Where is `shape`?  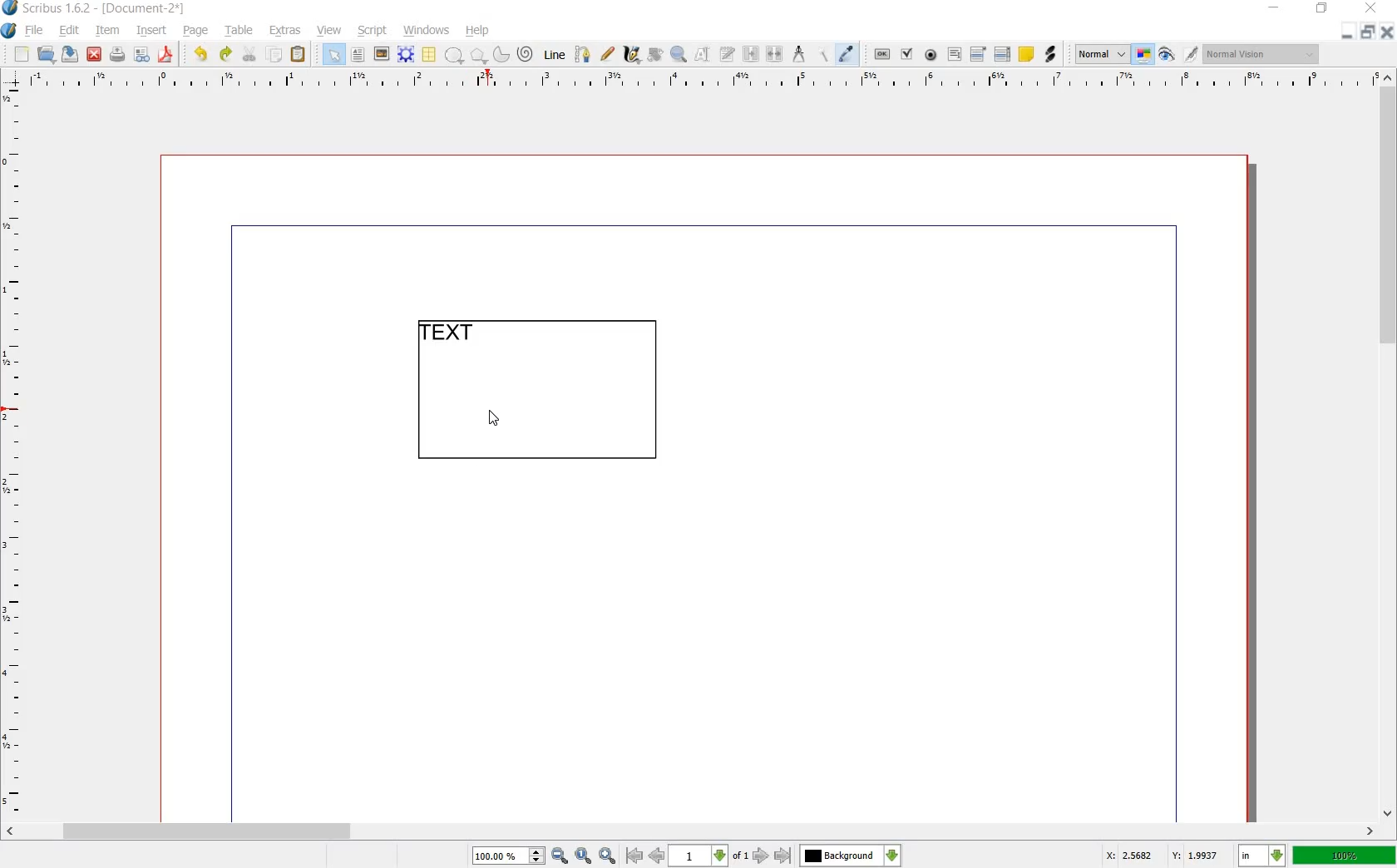 shape is located at coordinates (454, 56).